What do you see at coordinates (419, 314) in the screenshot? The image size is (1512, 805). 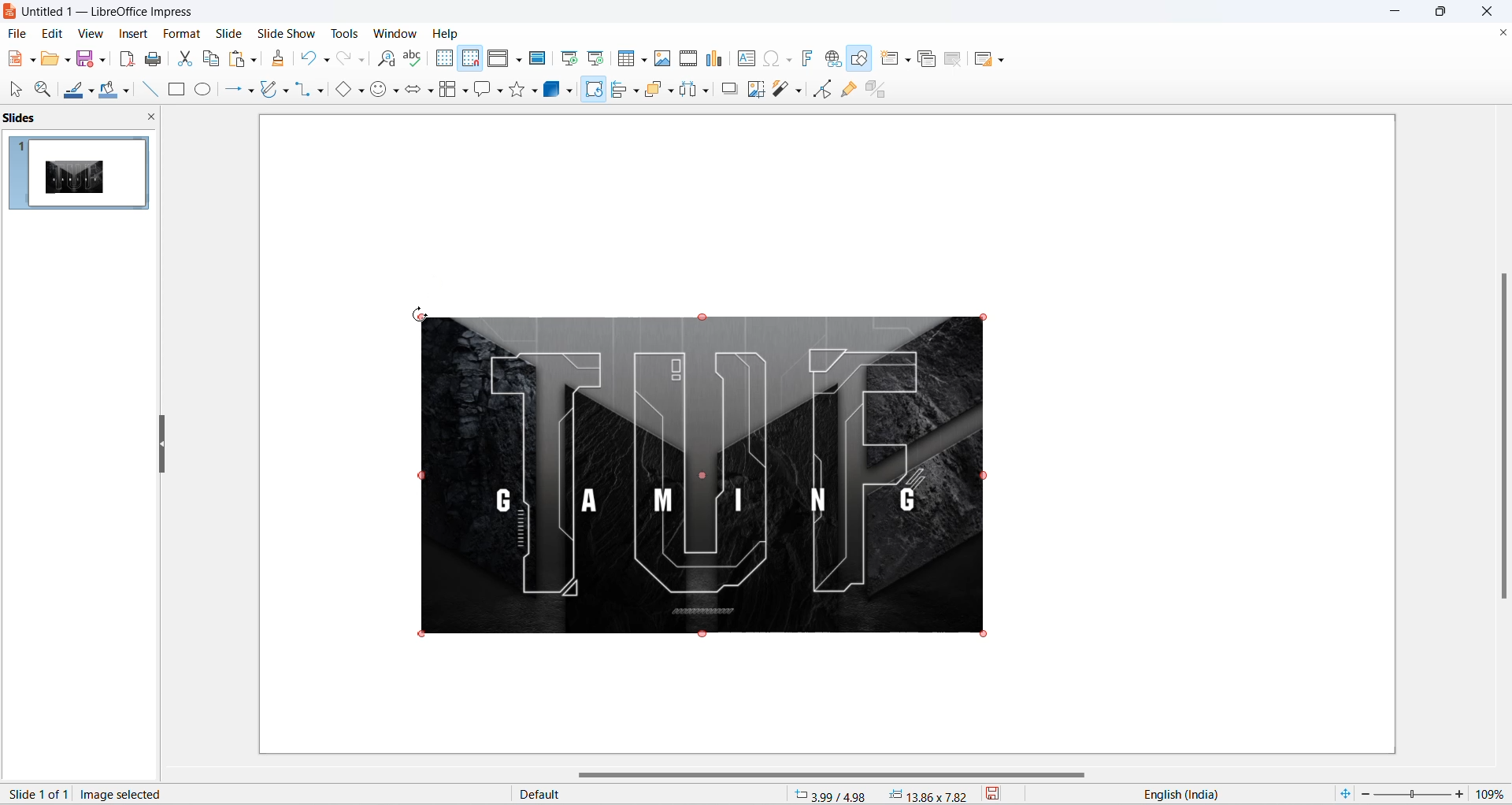 I see `cursor` at bounding box center [419, 314].